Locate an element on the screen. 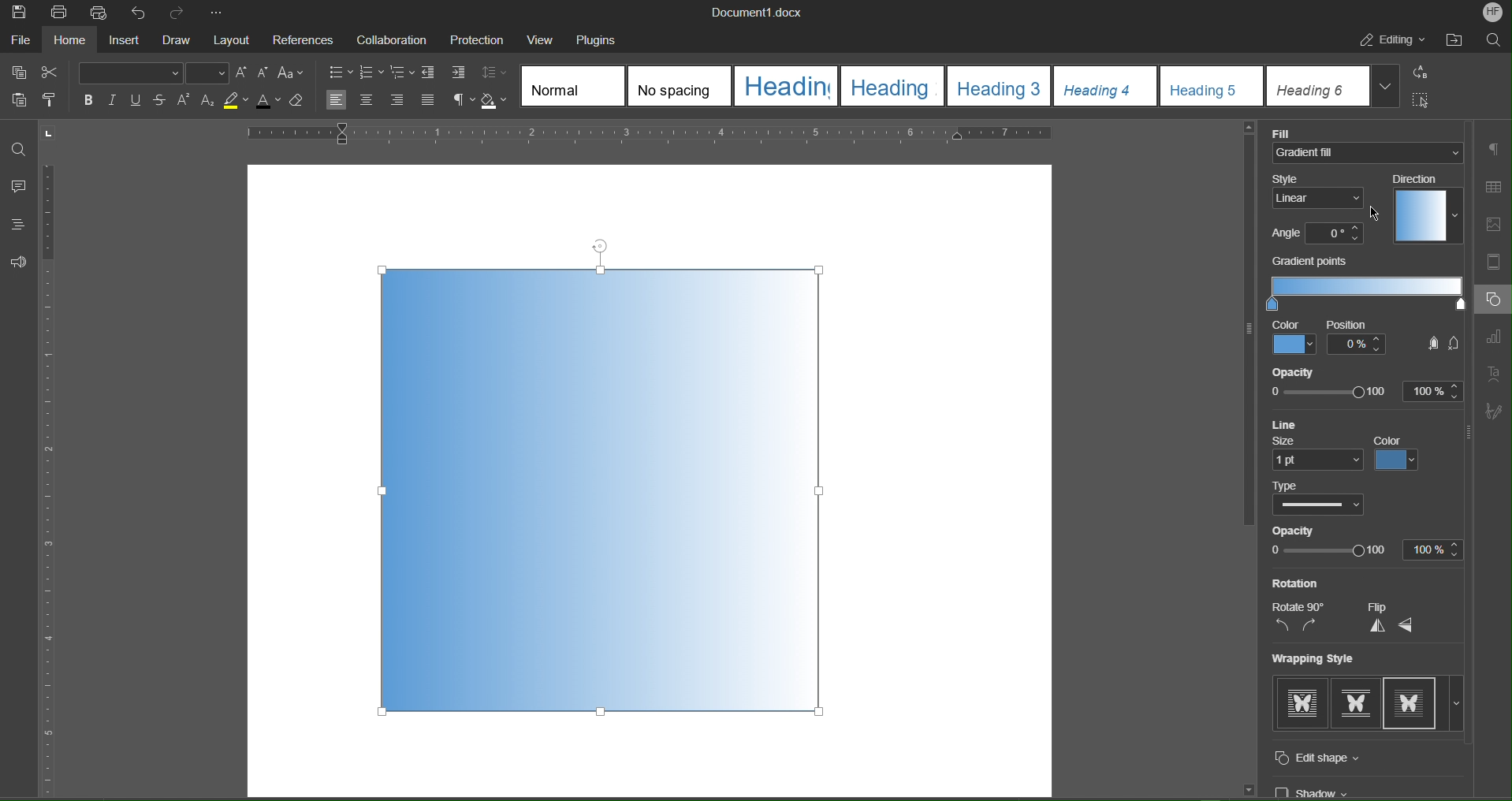  Feedback and Support is located at coordinates (19, 263).